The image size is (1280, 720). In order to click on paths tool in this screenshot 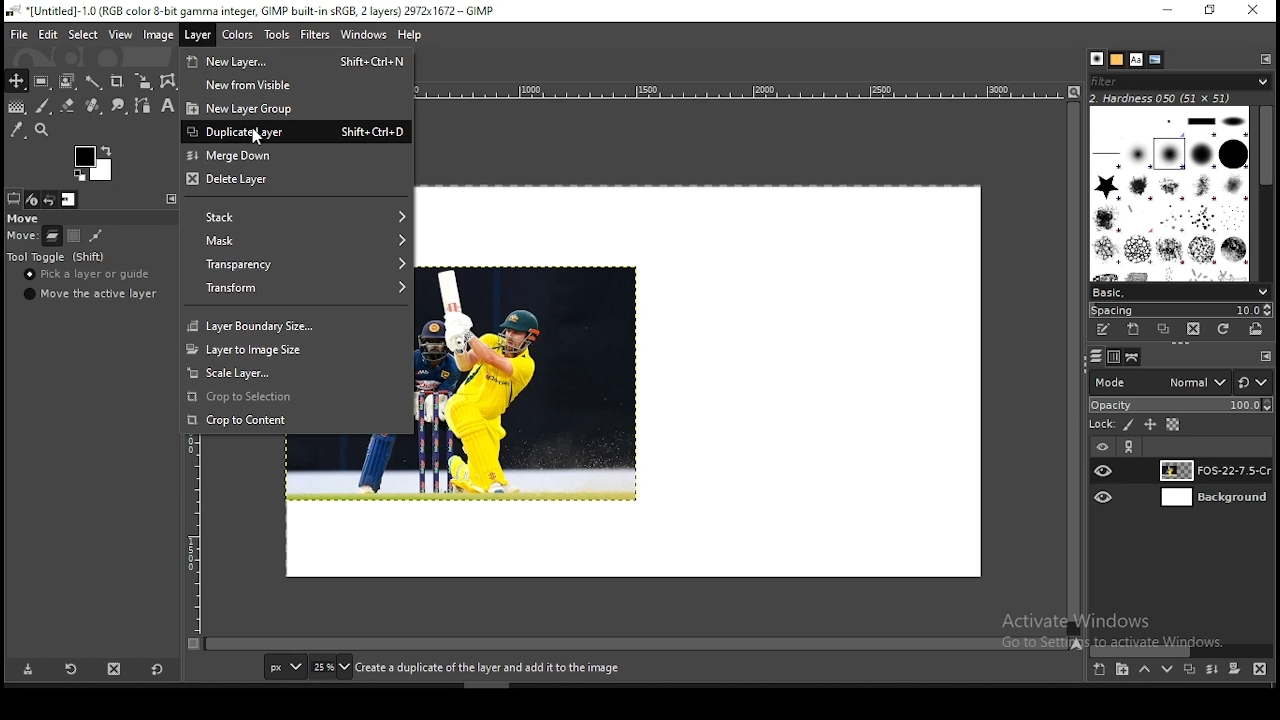, I will do `click(140, 107)`.